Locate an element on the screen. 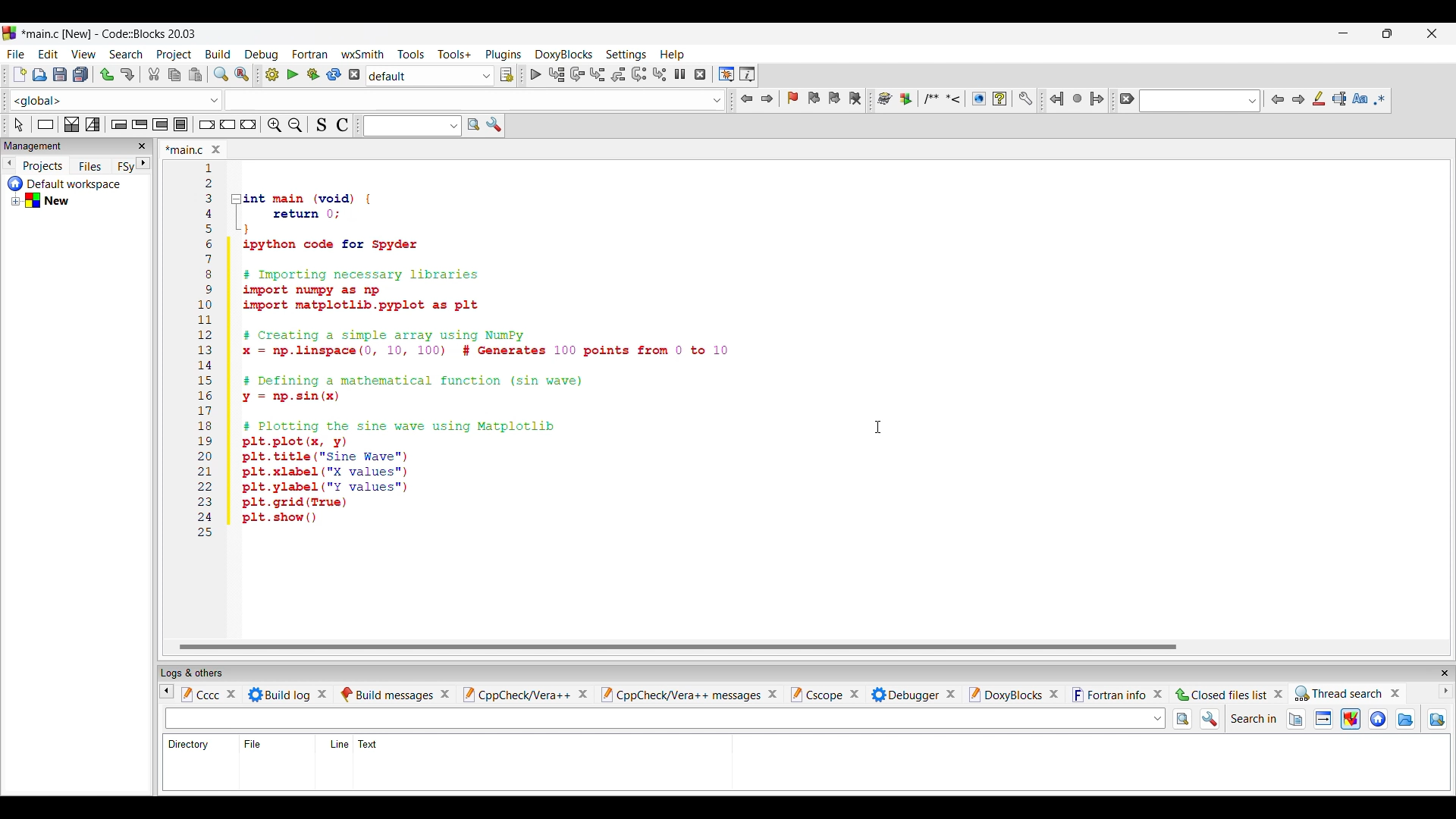 The image size is (1456, 819). Help menu is located at coordinates (673, 55).